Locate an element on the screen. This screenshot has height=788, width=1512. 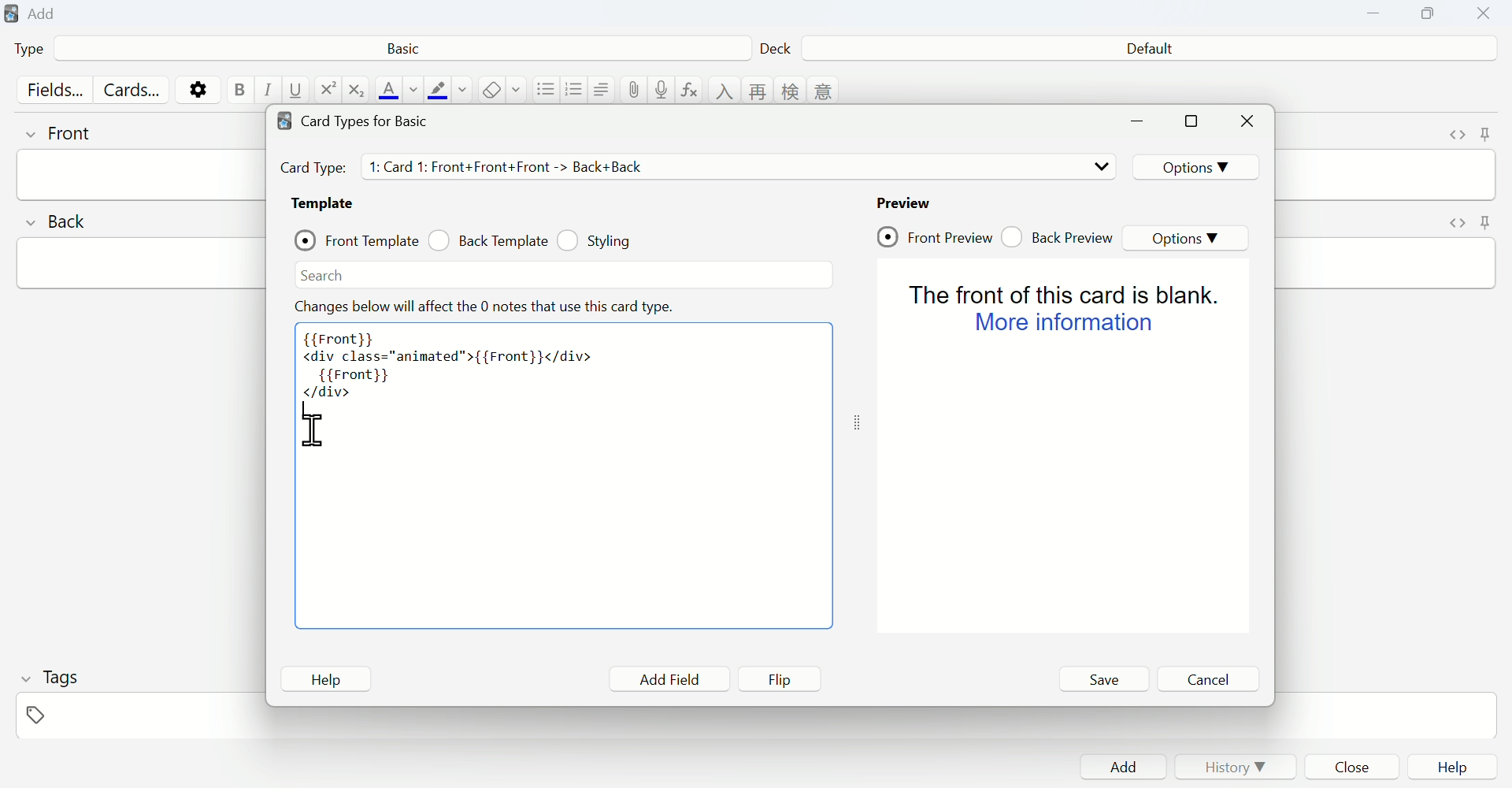
bold text is located at coordinates (239, 90).